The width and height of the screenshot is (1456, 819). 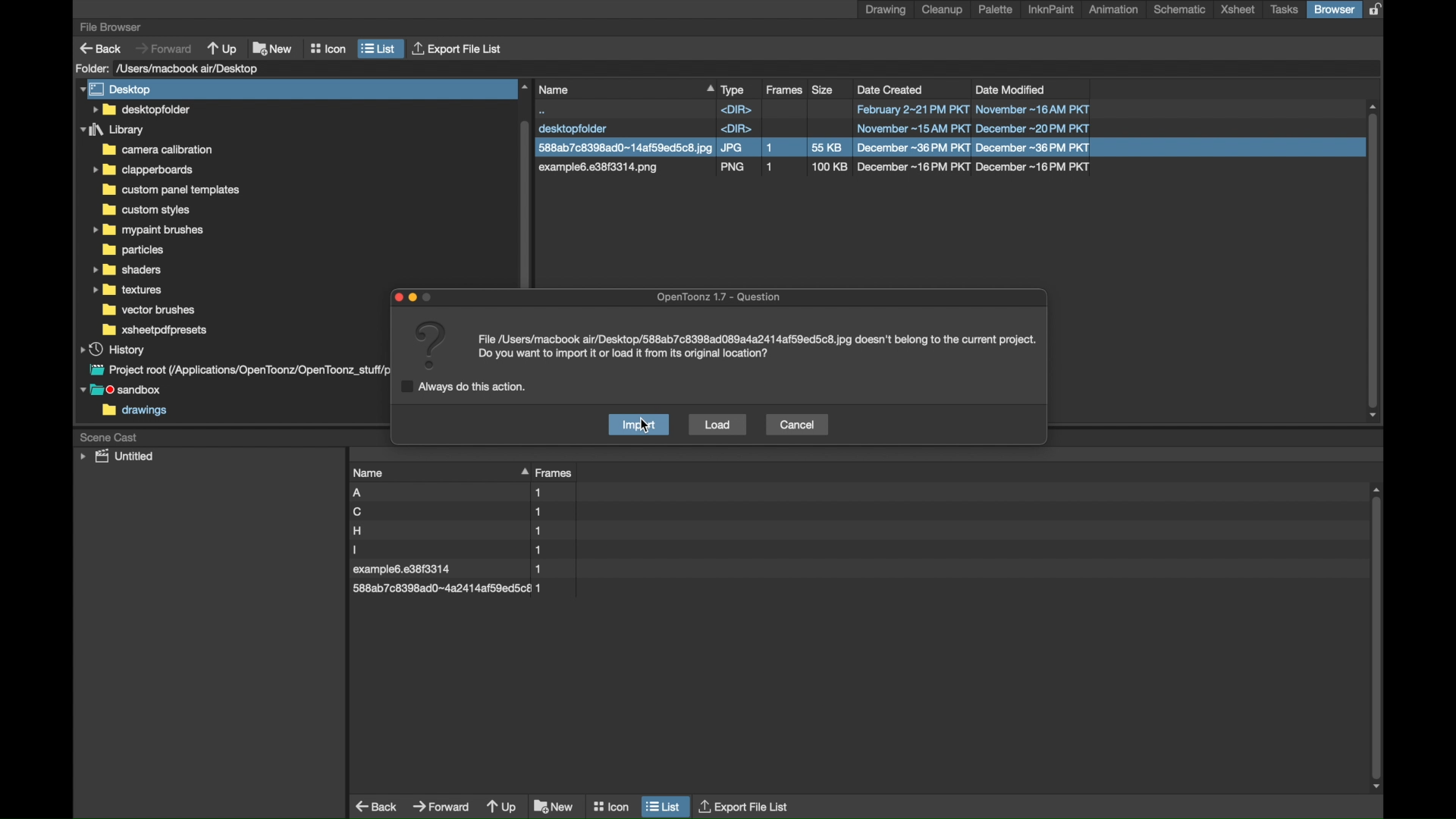 I want to click on file, so click(x=813, y=109).